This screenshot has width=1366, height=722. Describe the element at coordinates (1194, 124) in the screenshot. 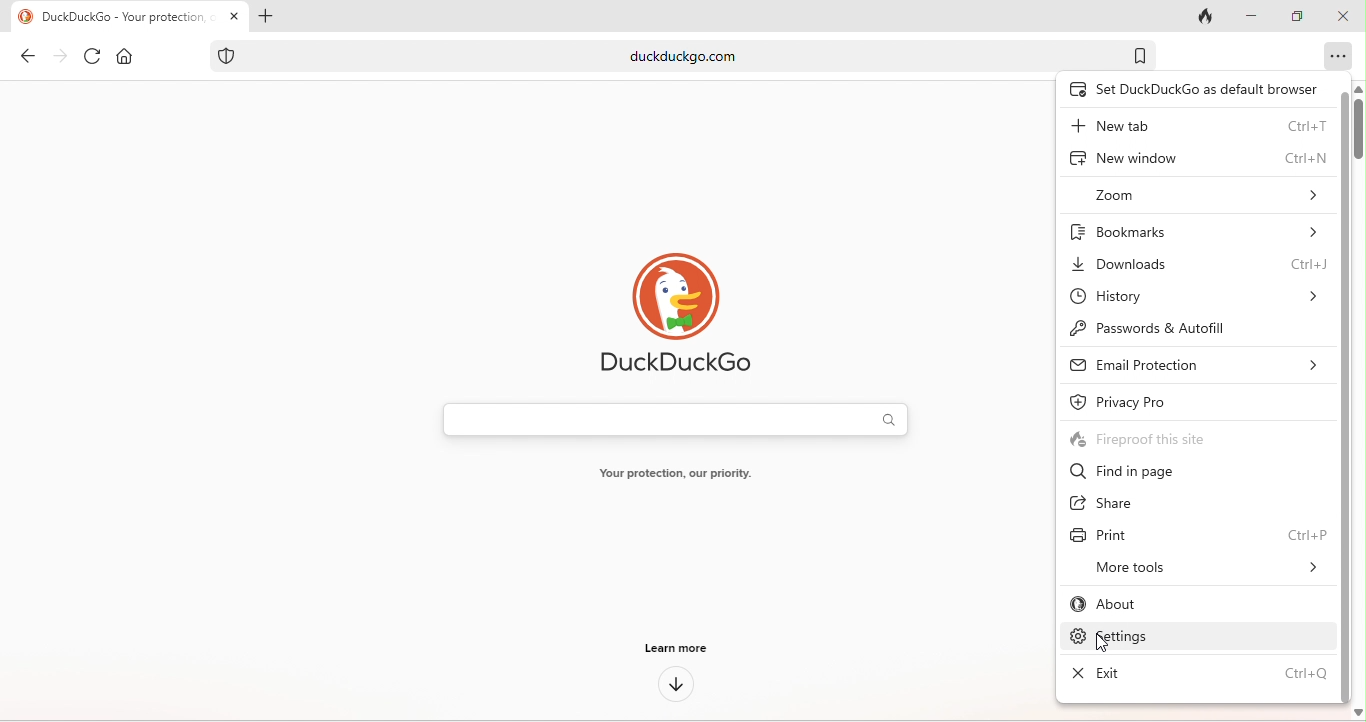

I see `new tab` at that location.